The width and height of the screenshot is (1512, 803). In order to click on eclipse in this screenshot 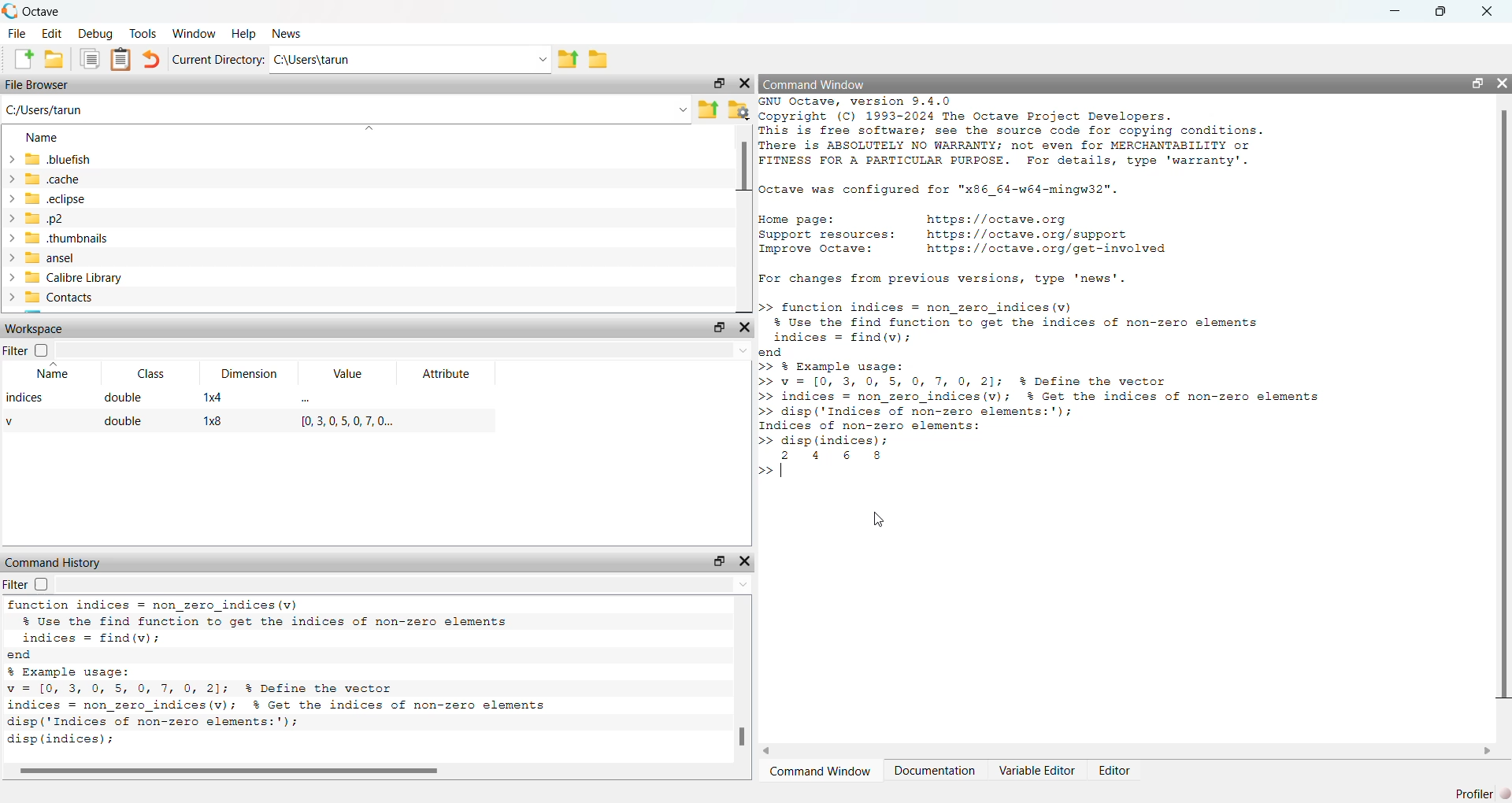, I will do `click(50, 199)`.